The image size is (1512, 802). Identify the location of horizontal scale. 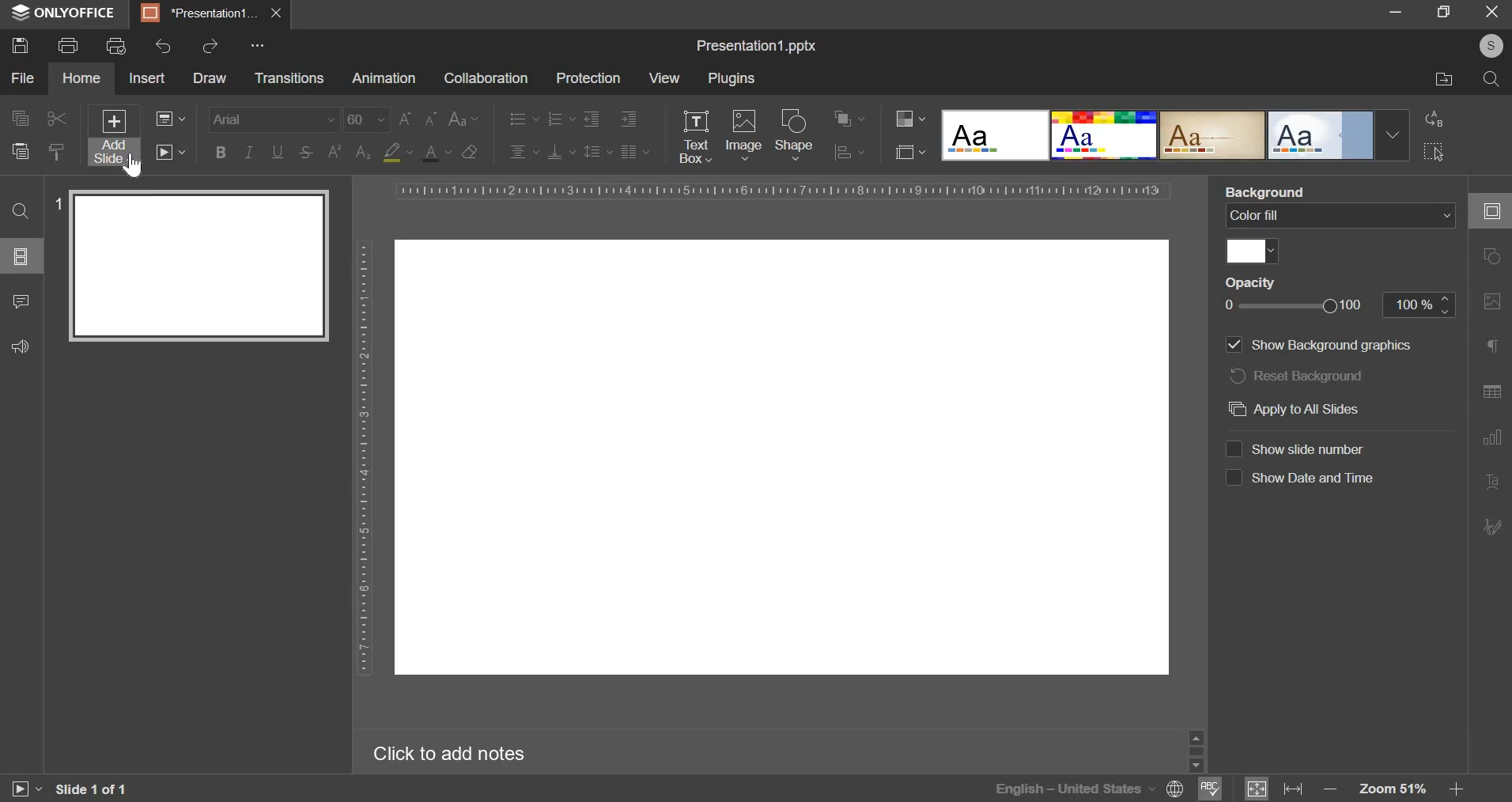
(781, 191).